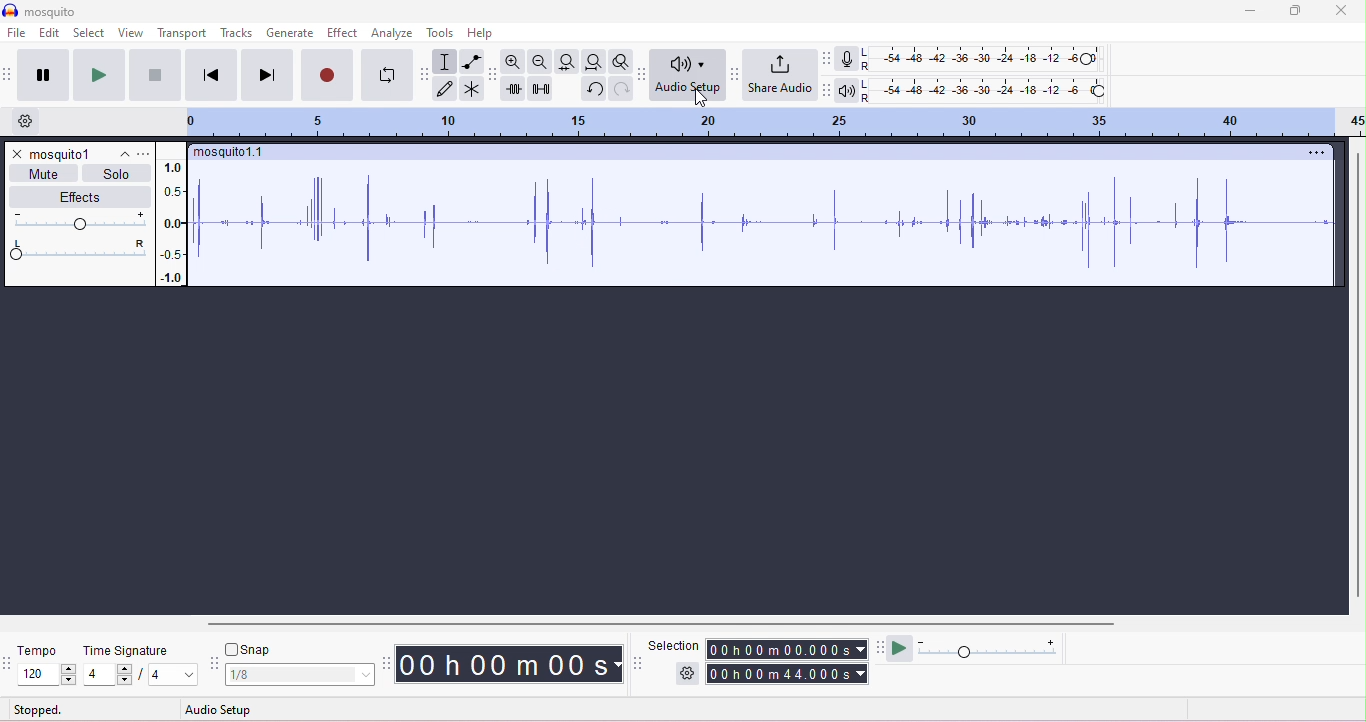  What do you see at coordinates (237, 32) in the screenshot?
I see `tracks` at bounding box center [237, 32].